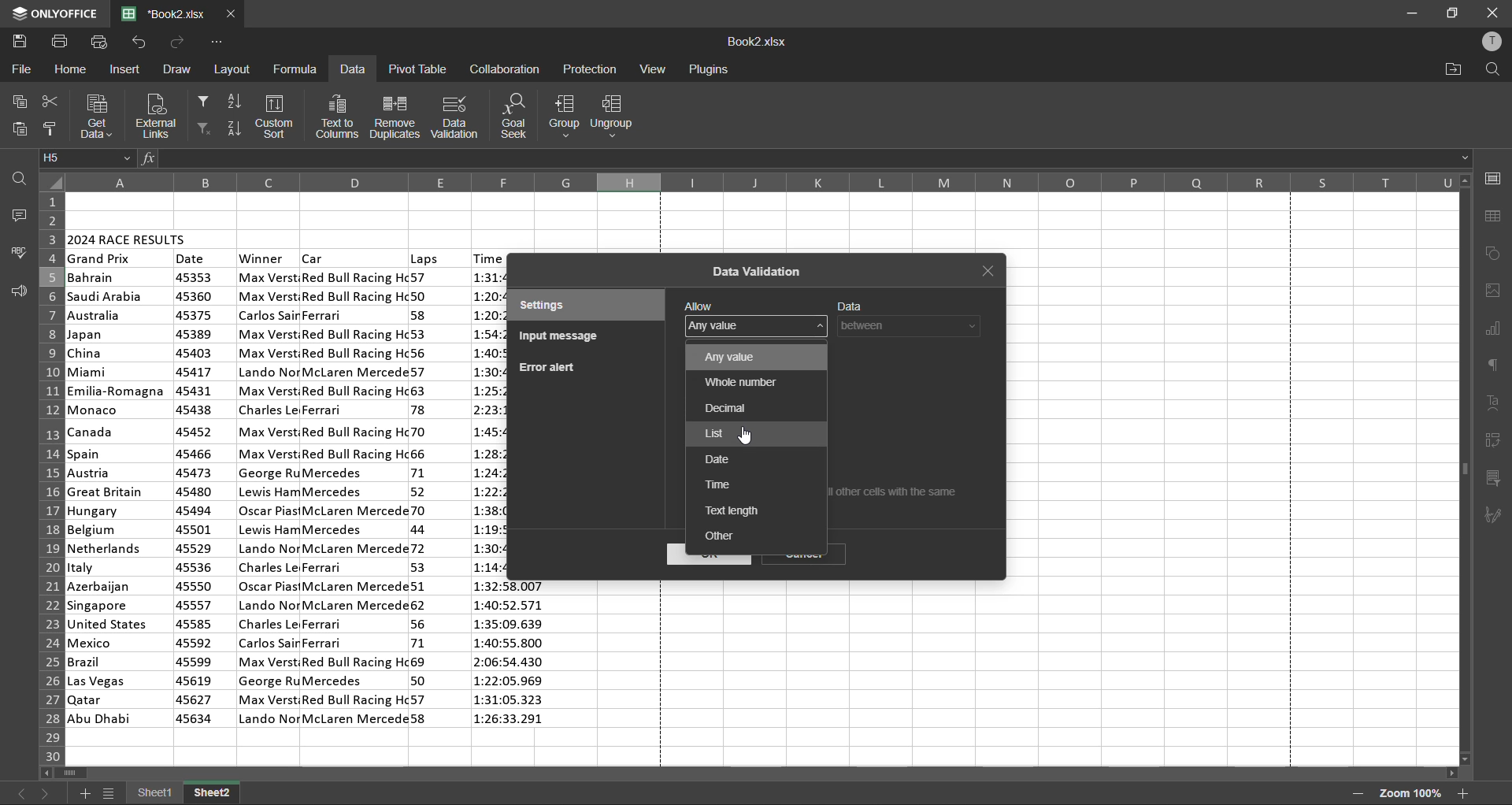  What do you see at coordinates (513, 657) in the screenshot?
I see `time` at bounding box center [513, 657].